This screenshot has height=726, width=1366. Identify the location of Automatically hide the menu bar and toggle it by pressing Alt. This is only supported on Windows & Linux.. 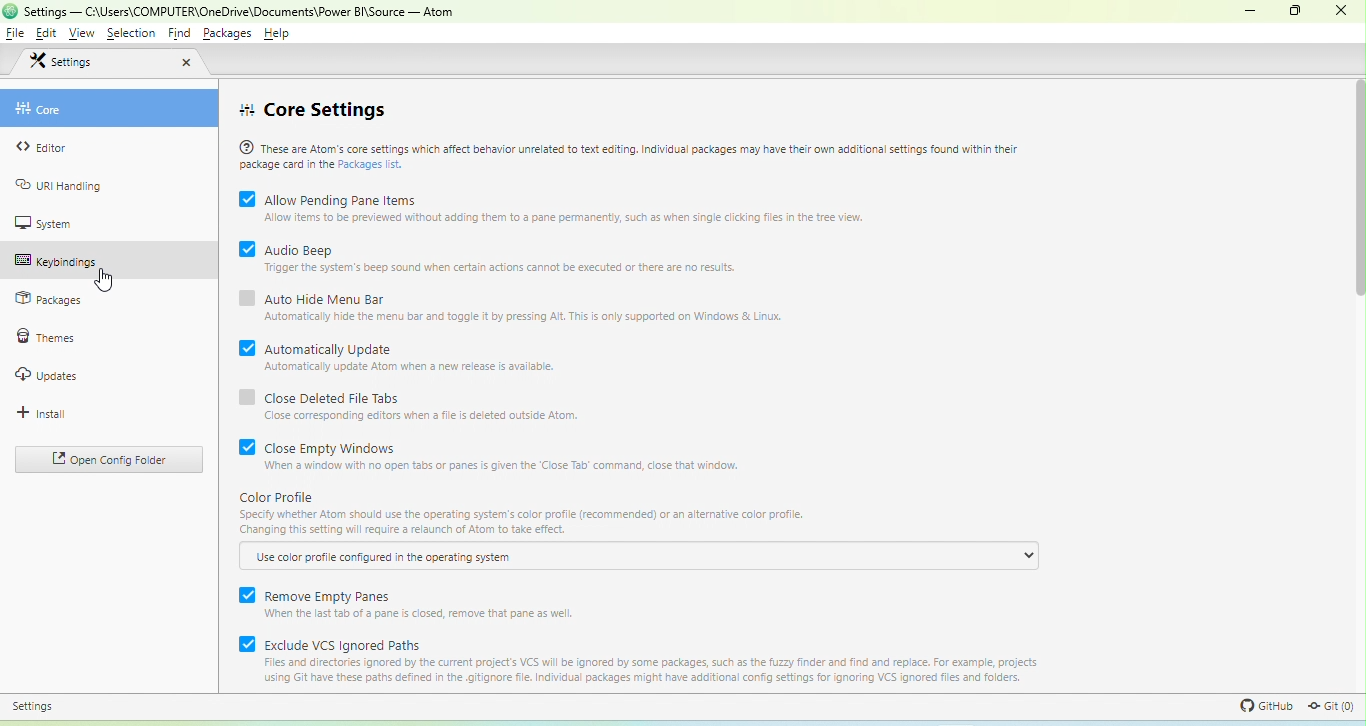
(522, 317).